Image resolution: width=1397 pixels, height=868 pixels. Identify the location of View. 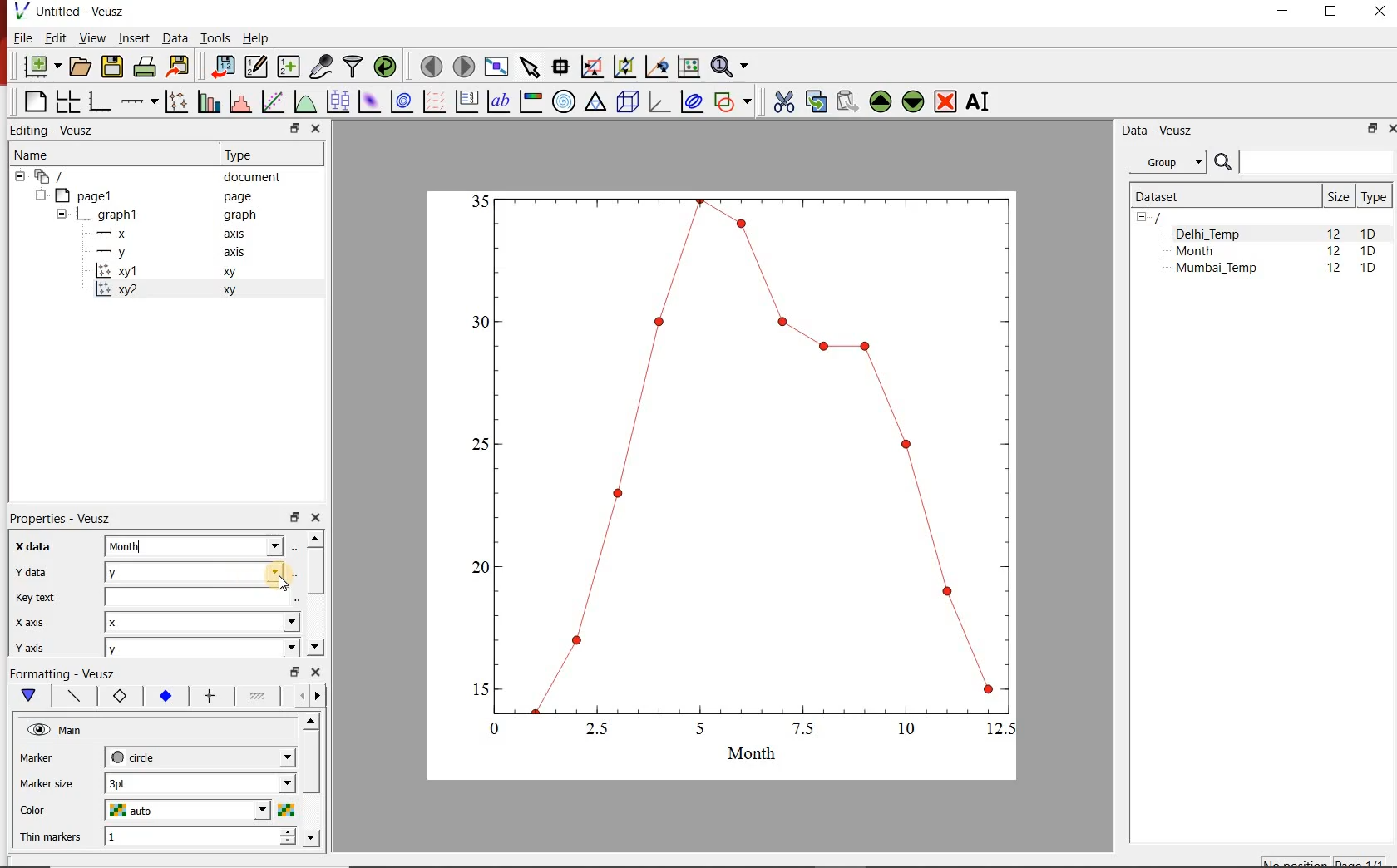
(91, 37).